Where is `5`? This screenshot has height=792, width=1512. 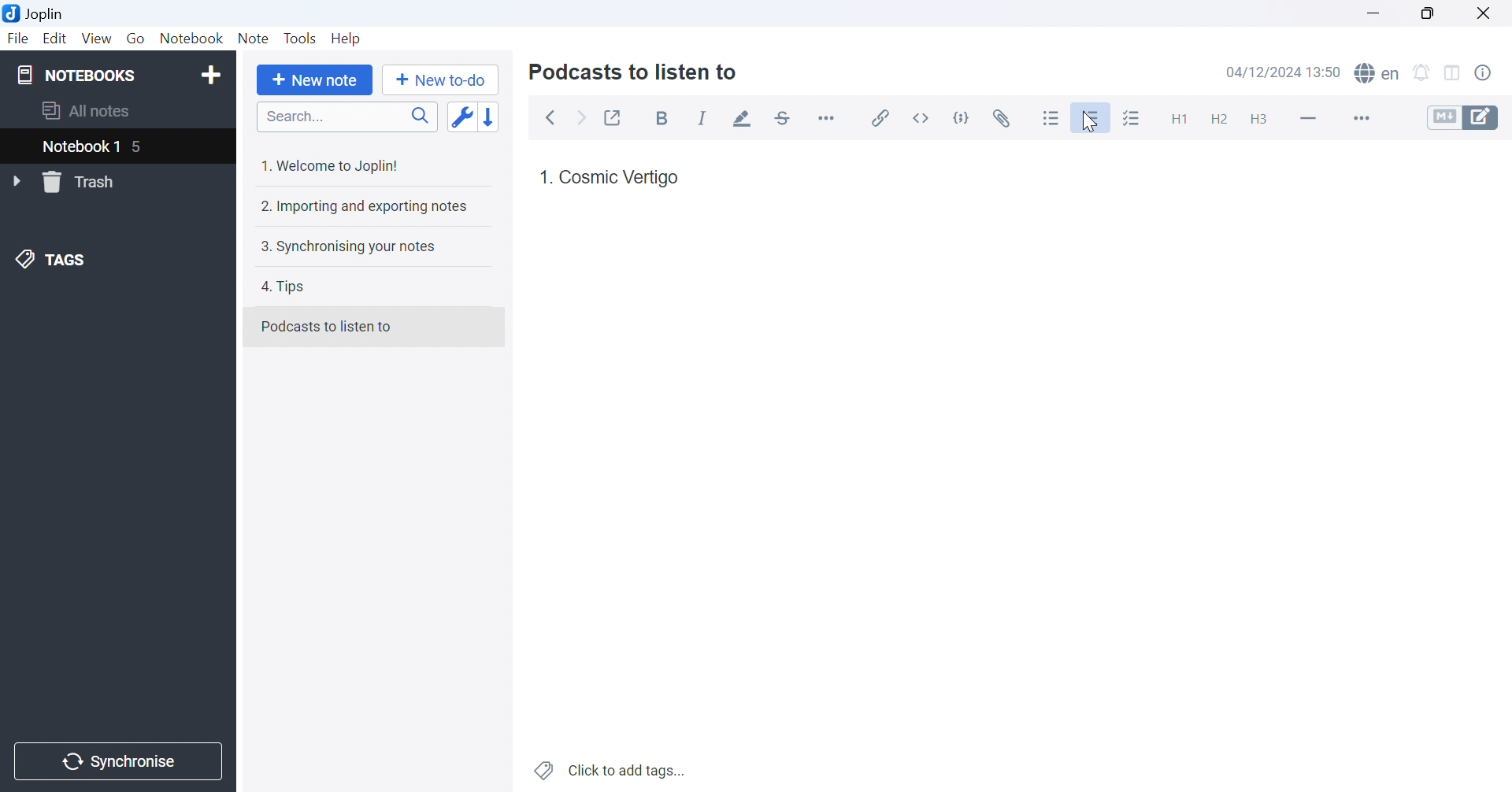 5 is located at coordinates (146, 148).